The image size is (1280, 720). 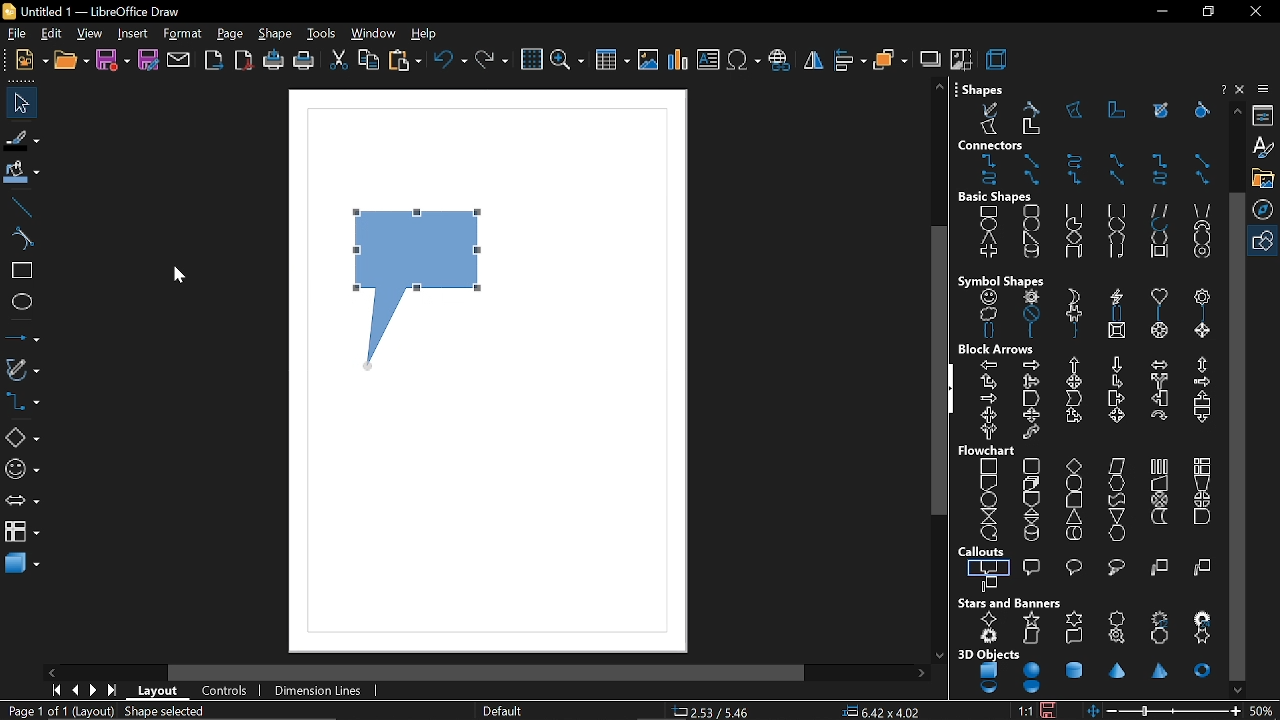 What do you see at coordinates (1078, 161) in the screenshot?
I see `curved connector ends with arrow` at bounding box center [1078, 161].